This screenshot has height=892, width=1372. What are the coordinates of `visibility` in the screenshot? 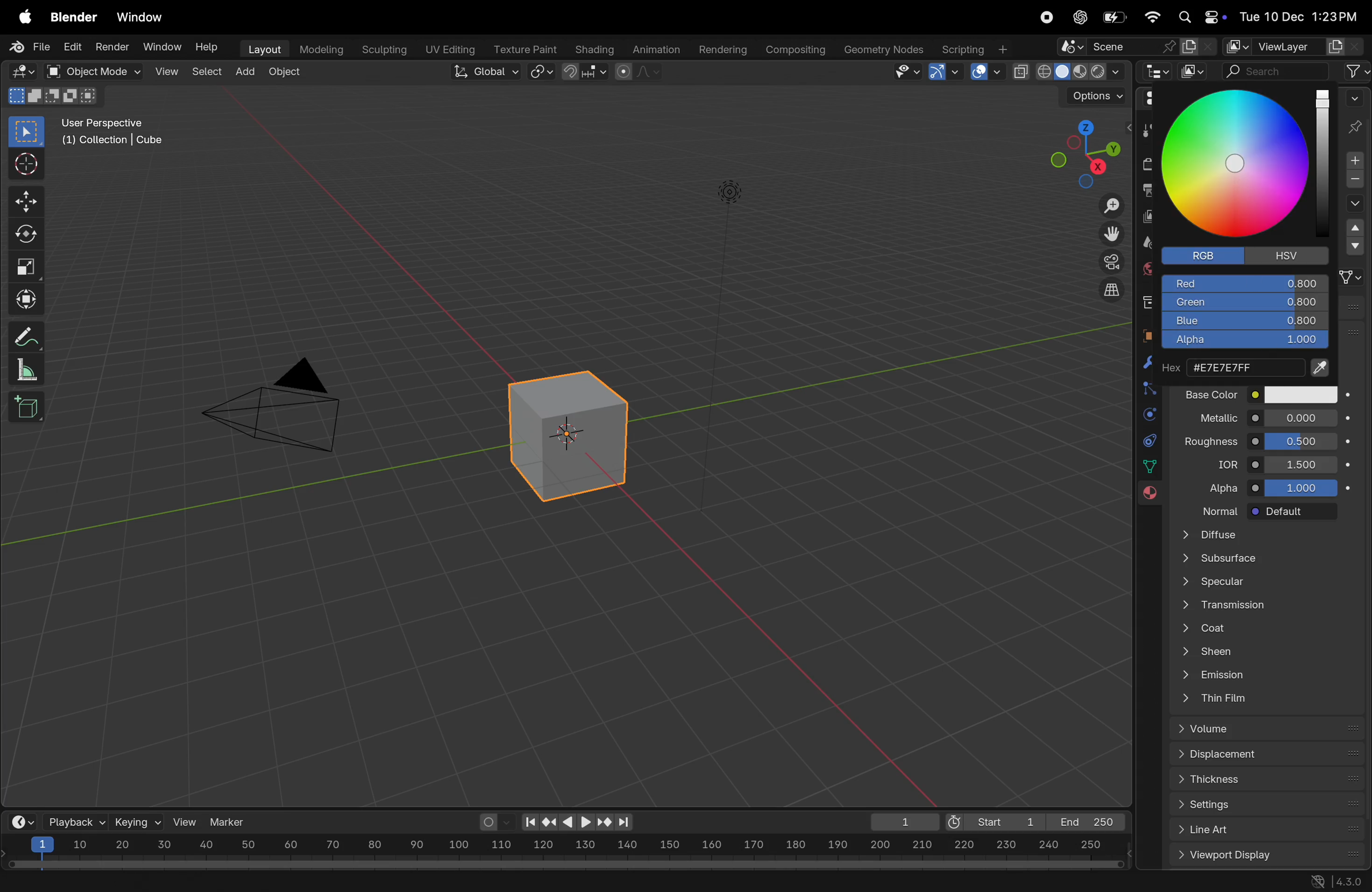 It's located at (905, 73).